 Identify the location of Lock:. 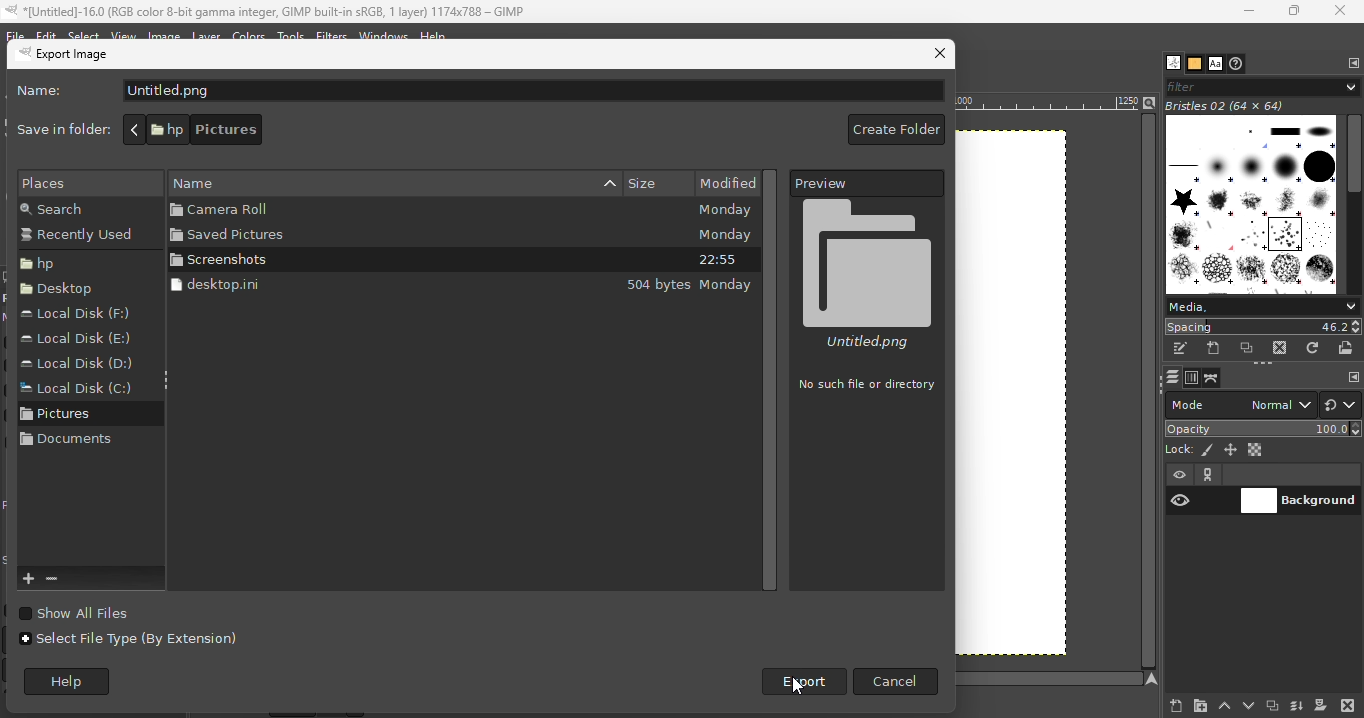
(1176, 448).